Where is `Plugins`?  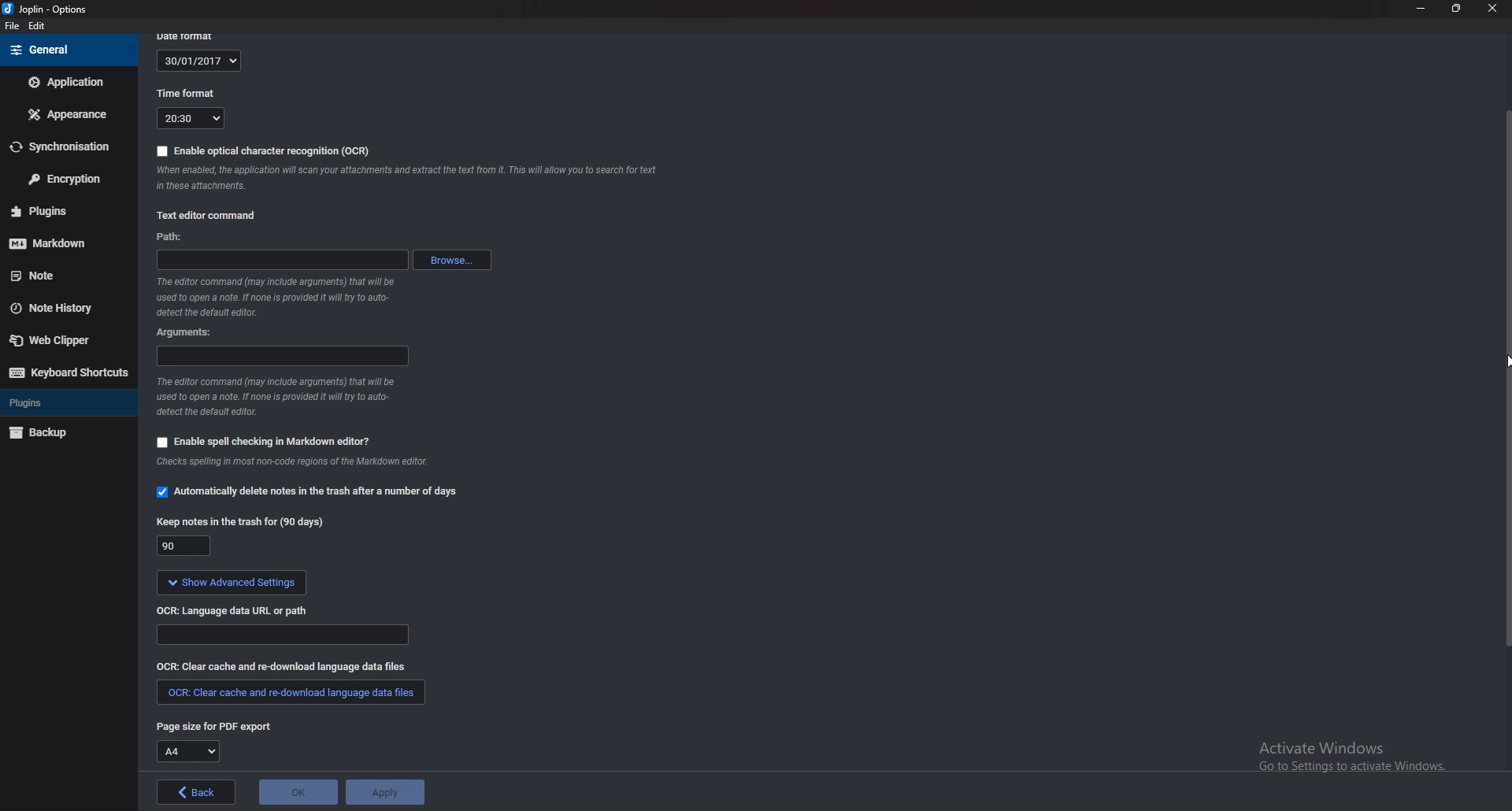 Plugins is located at coordinates (59, 211).